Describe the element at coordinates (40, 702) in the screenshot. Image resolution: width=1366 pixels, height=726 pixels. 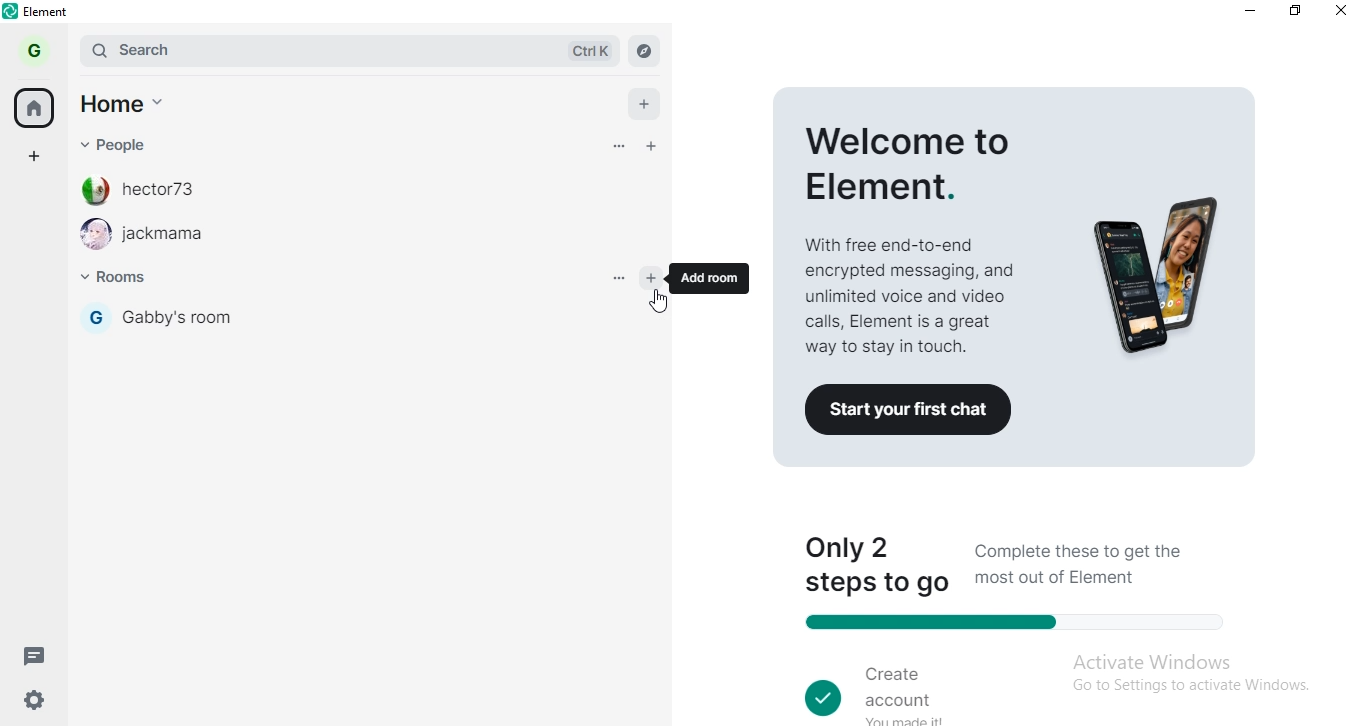
I see `settings` at that location.